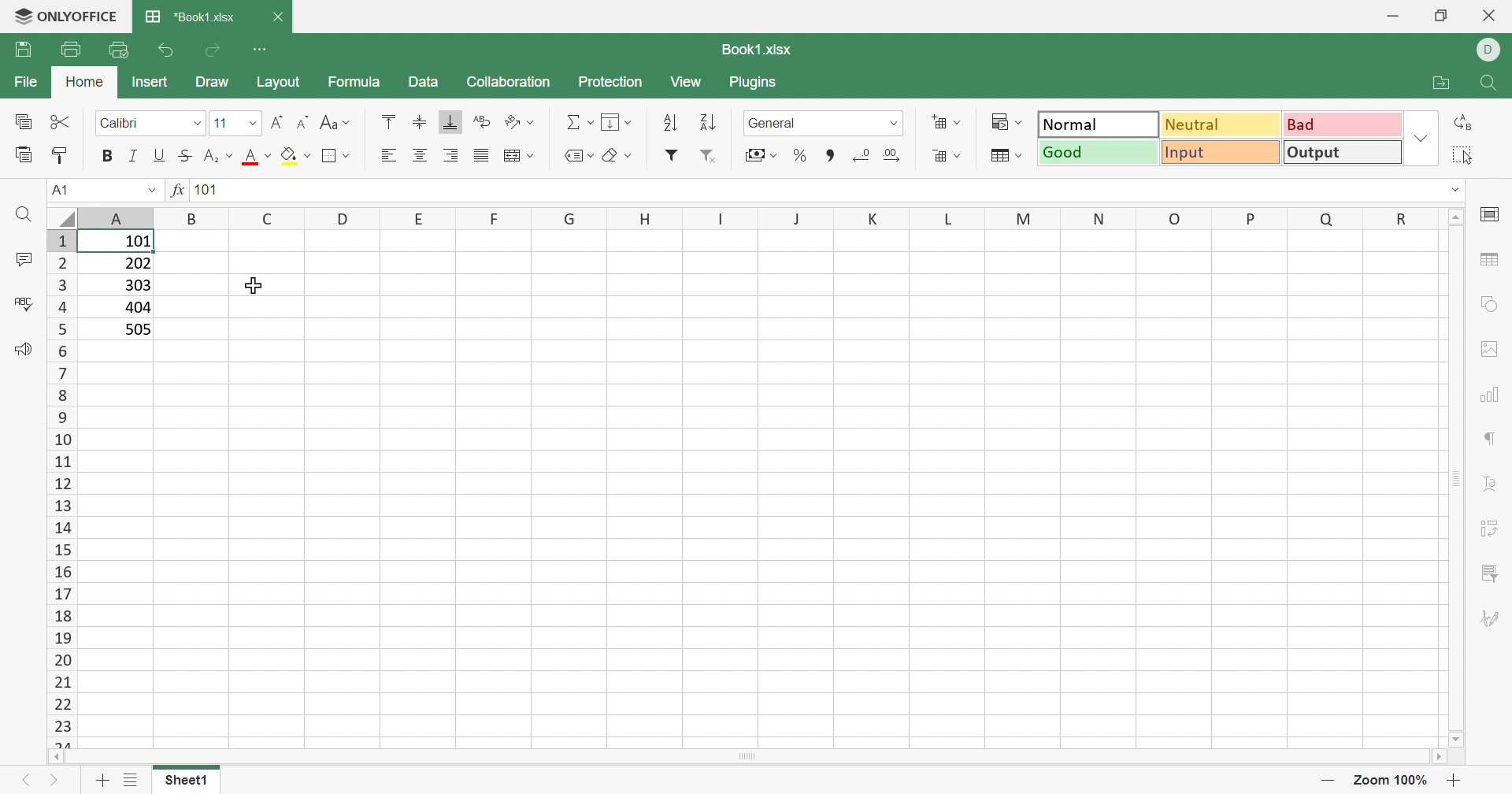 The image size is (1512, 794). What do you see at coordinates (24, 123) in the screenshot?
I see `Copy` at bounding box center [24, 123].